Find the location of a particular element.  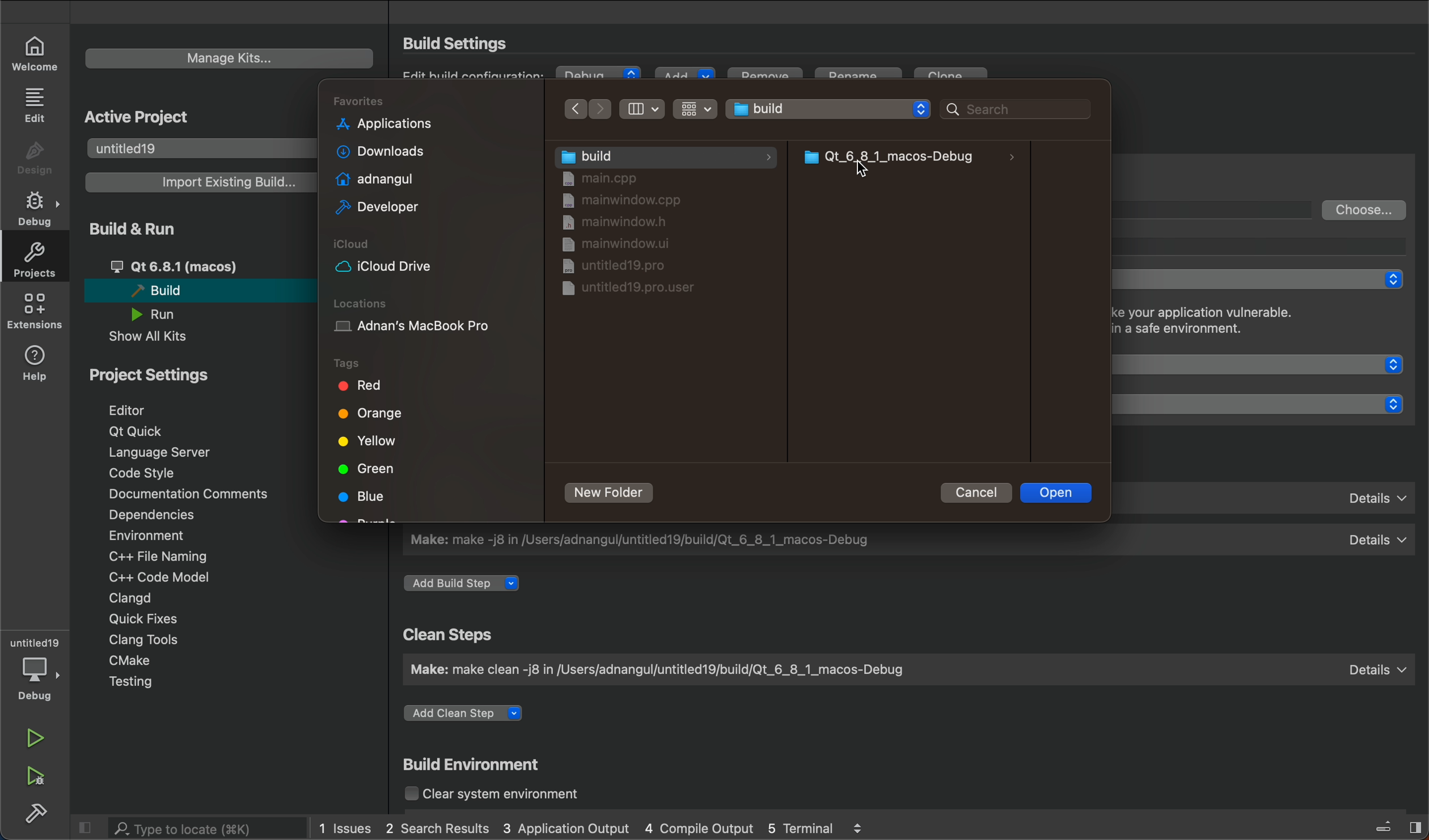

debug file is located at coordinates (912, 157).